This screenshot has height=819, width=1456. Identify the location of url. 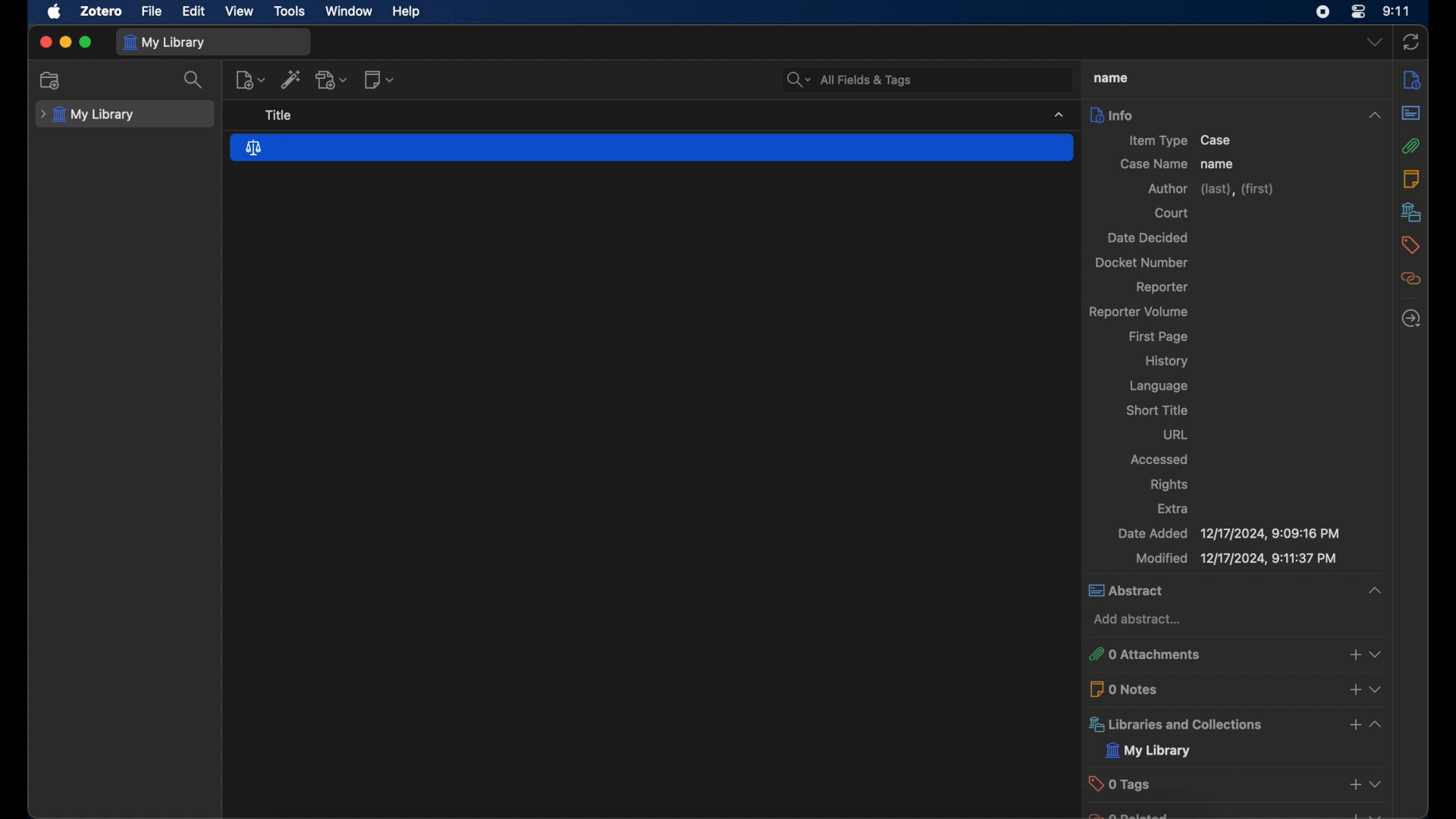
(1178, 435).